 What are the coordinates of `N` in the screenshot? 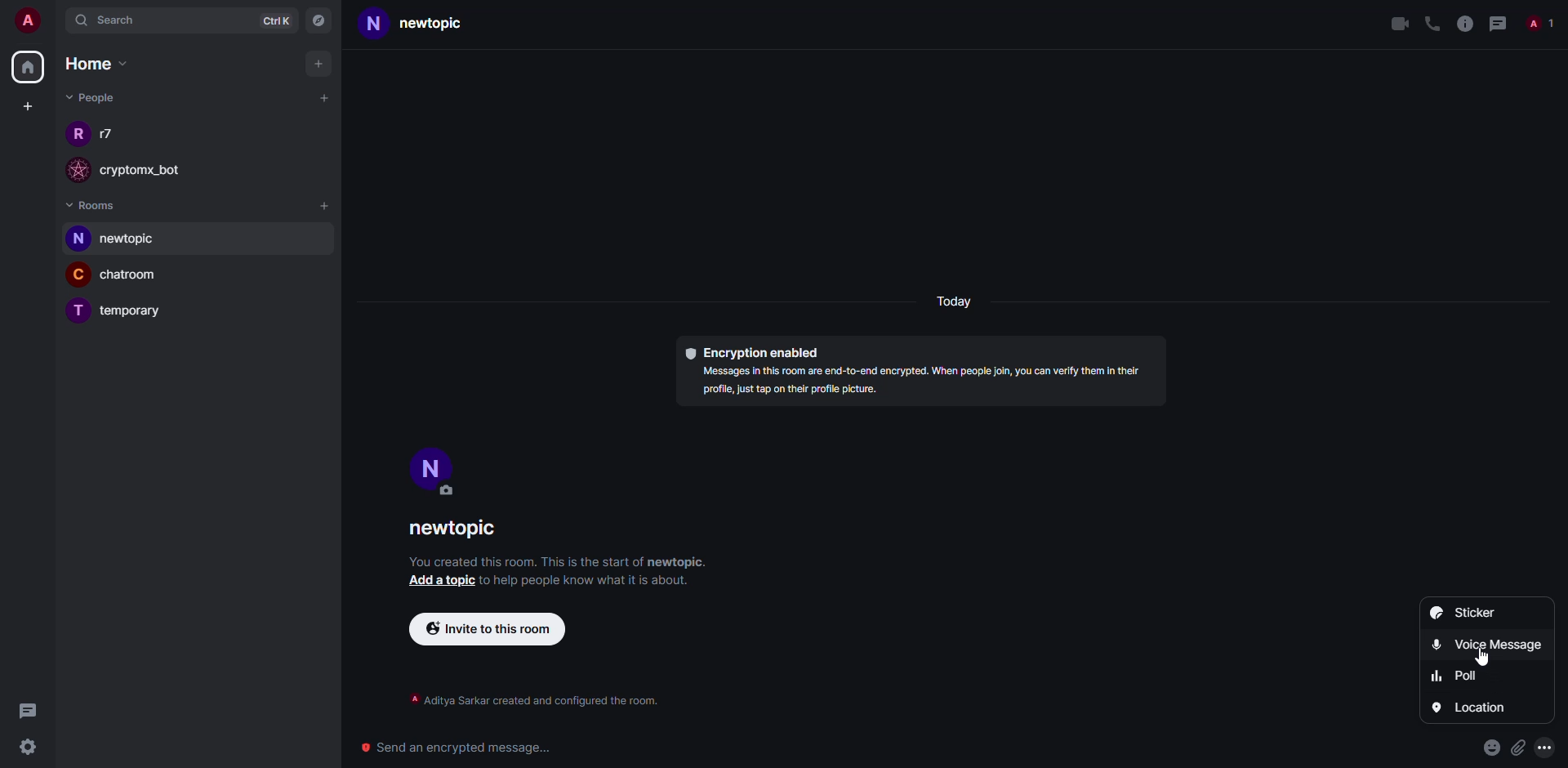 It's located at (374, 25).